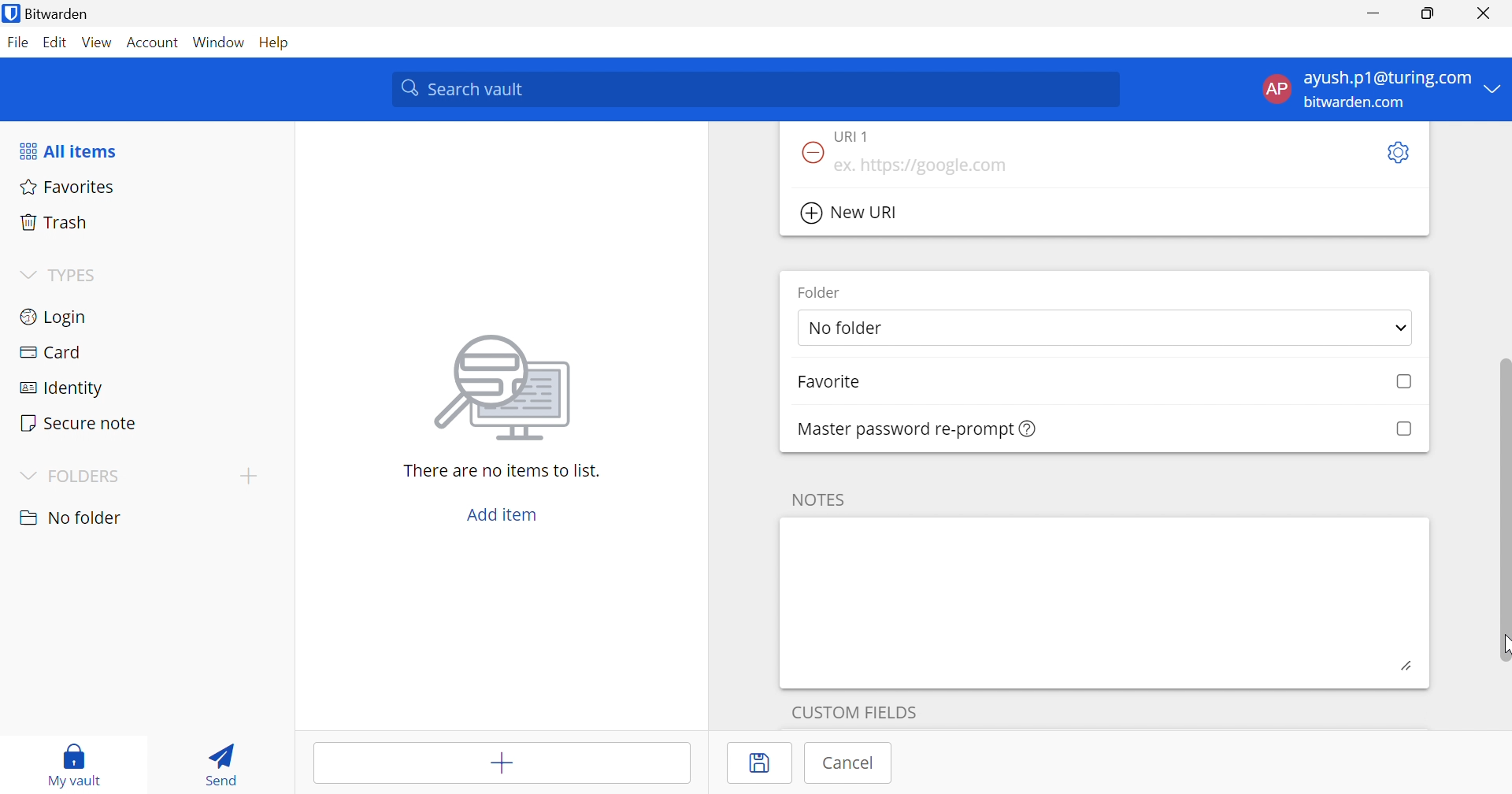 This screenshot has height=794, width=1512. What do you see at coordinates (1373, 14) in the screenshot?
I see `Minimize` at bounding box center [1373, 14].